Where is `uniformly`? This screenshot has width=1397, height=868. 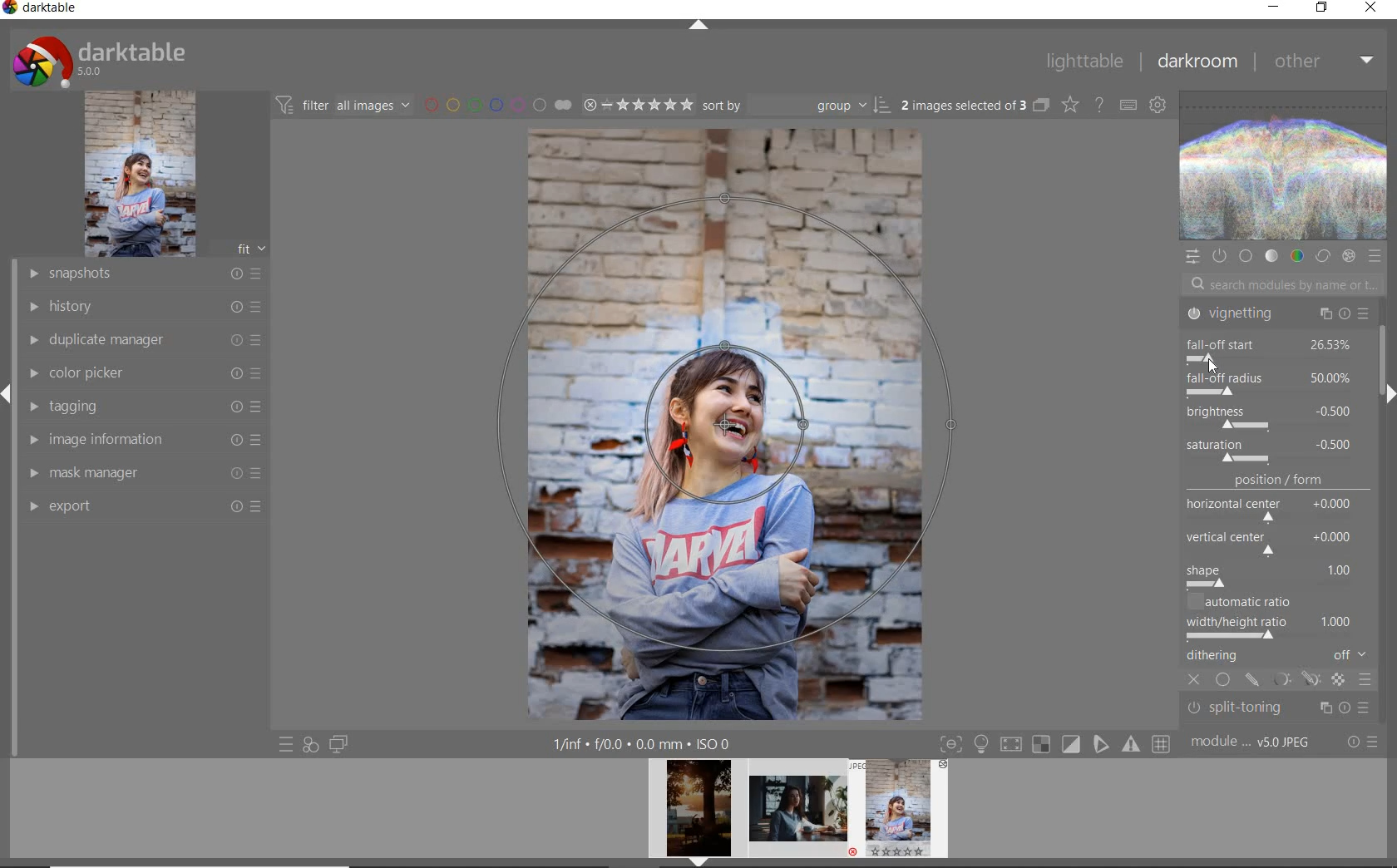 uniformly is located at coordinates (1224, 681).